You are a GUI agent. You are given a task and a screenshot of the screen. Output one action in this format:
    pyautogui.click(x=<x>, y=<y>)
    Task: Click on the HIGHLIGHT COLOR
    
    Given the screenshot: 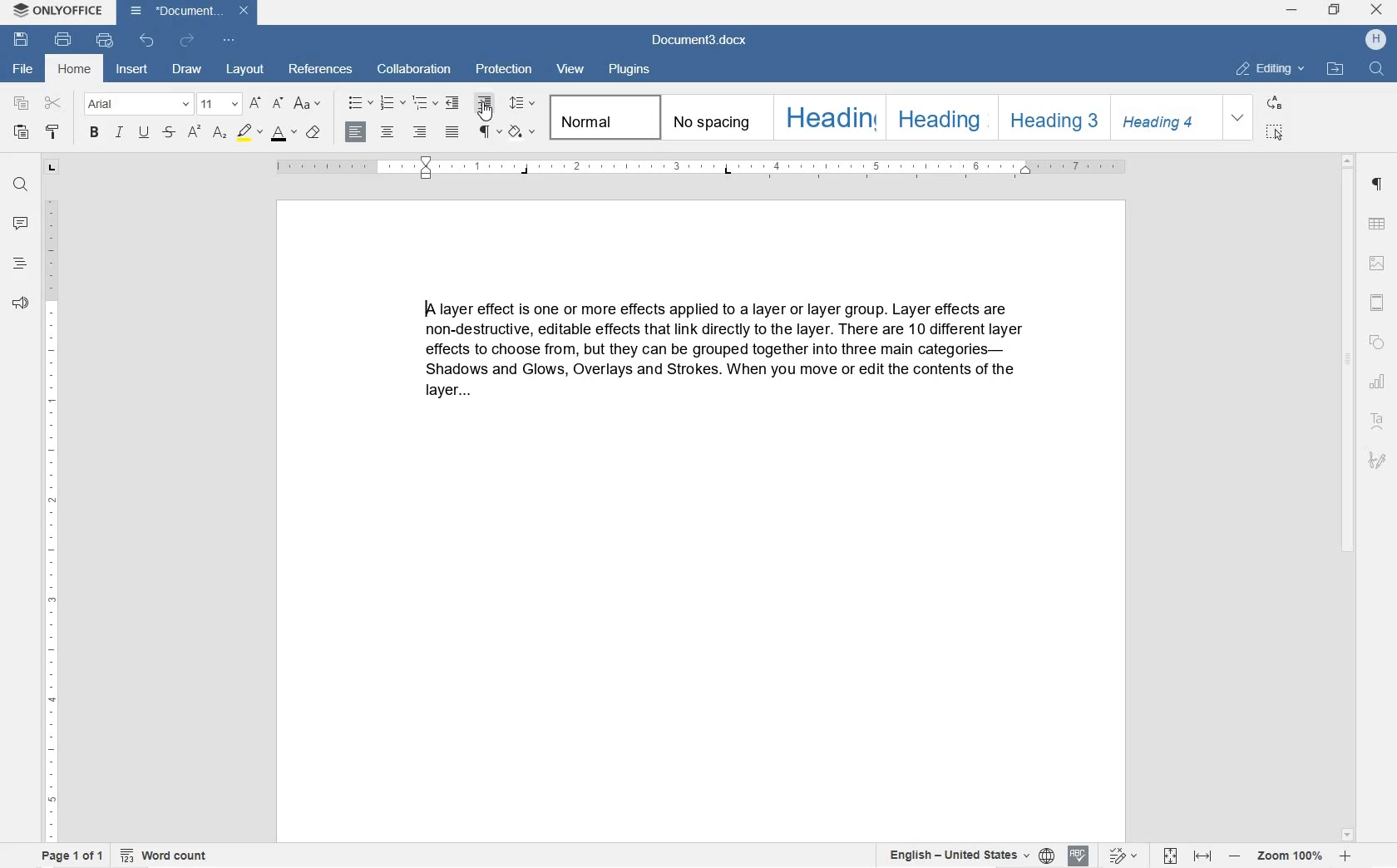 What is the action you would take?
    pyautogui.click(x=248, y=136)
    